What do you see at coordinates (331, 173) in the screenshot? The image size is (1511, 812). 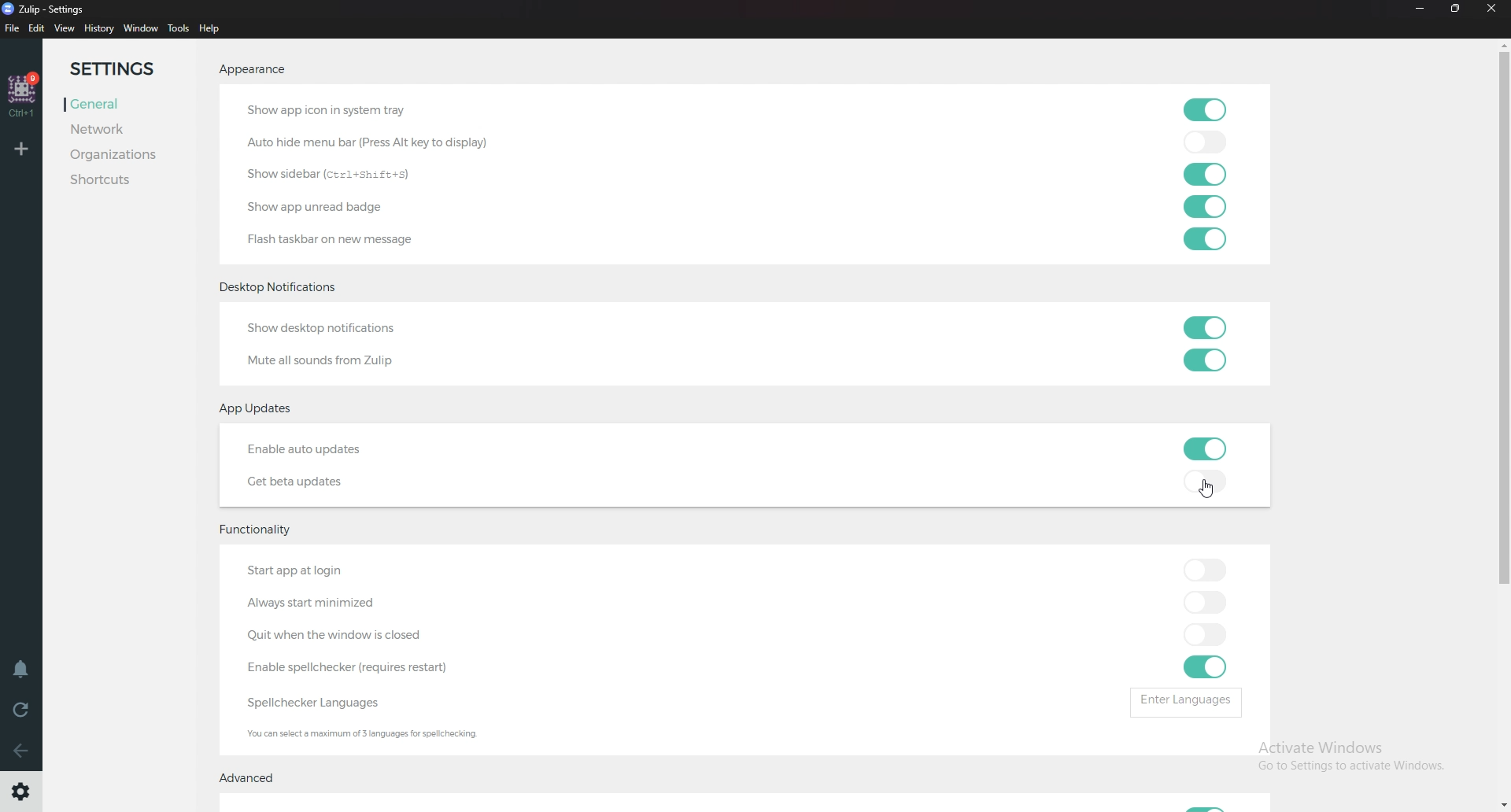 I see `show sidebar` at bounding box center [331, 173].